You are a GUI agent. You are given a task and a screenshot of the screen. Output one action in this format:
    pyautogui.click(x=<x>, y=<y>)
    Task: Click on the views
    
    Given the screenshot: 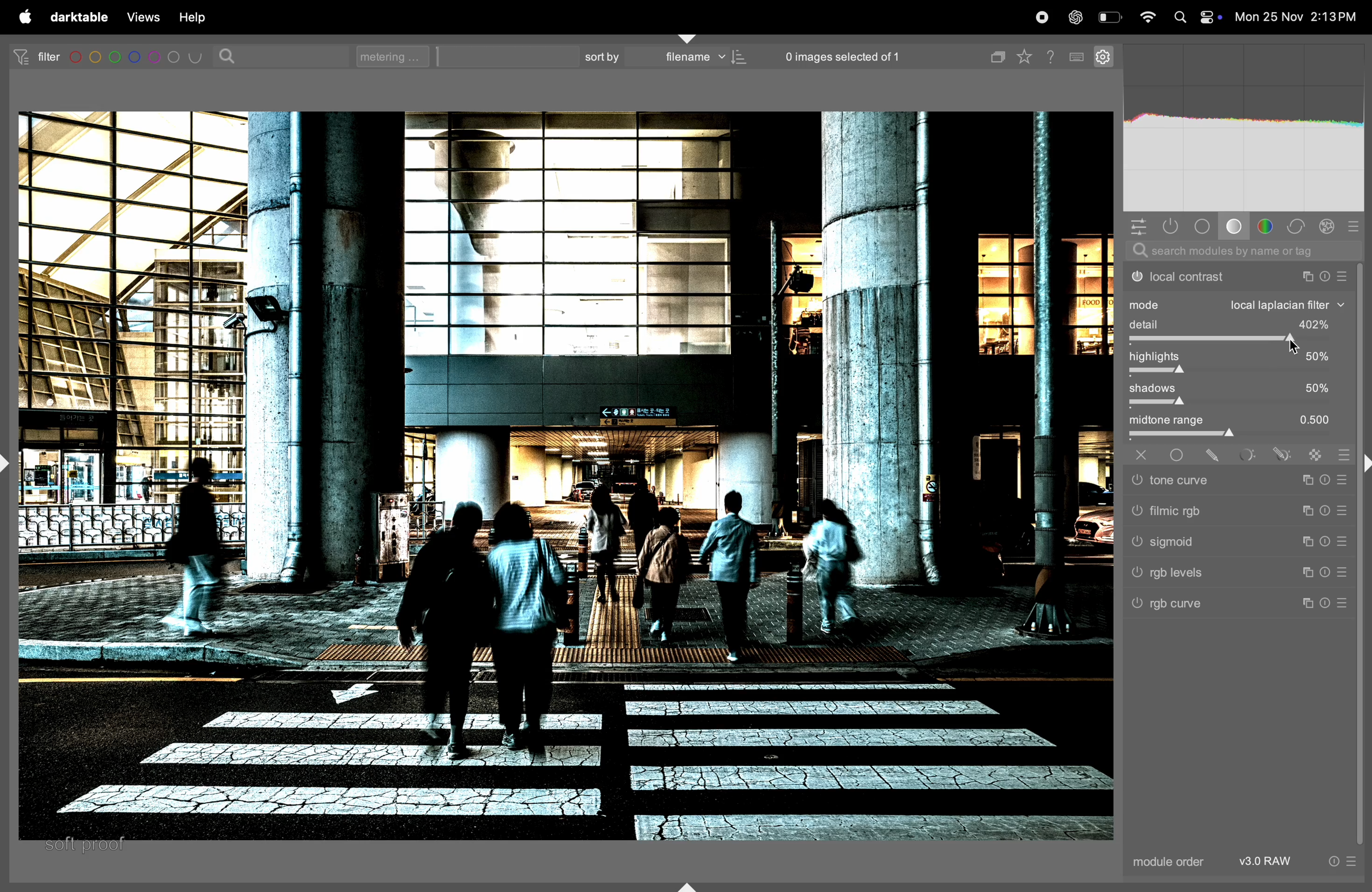 What is the action you would take?
    pyautogui.click(x=141, y=17)
    